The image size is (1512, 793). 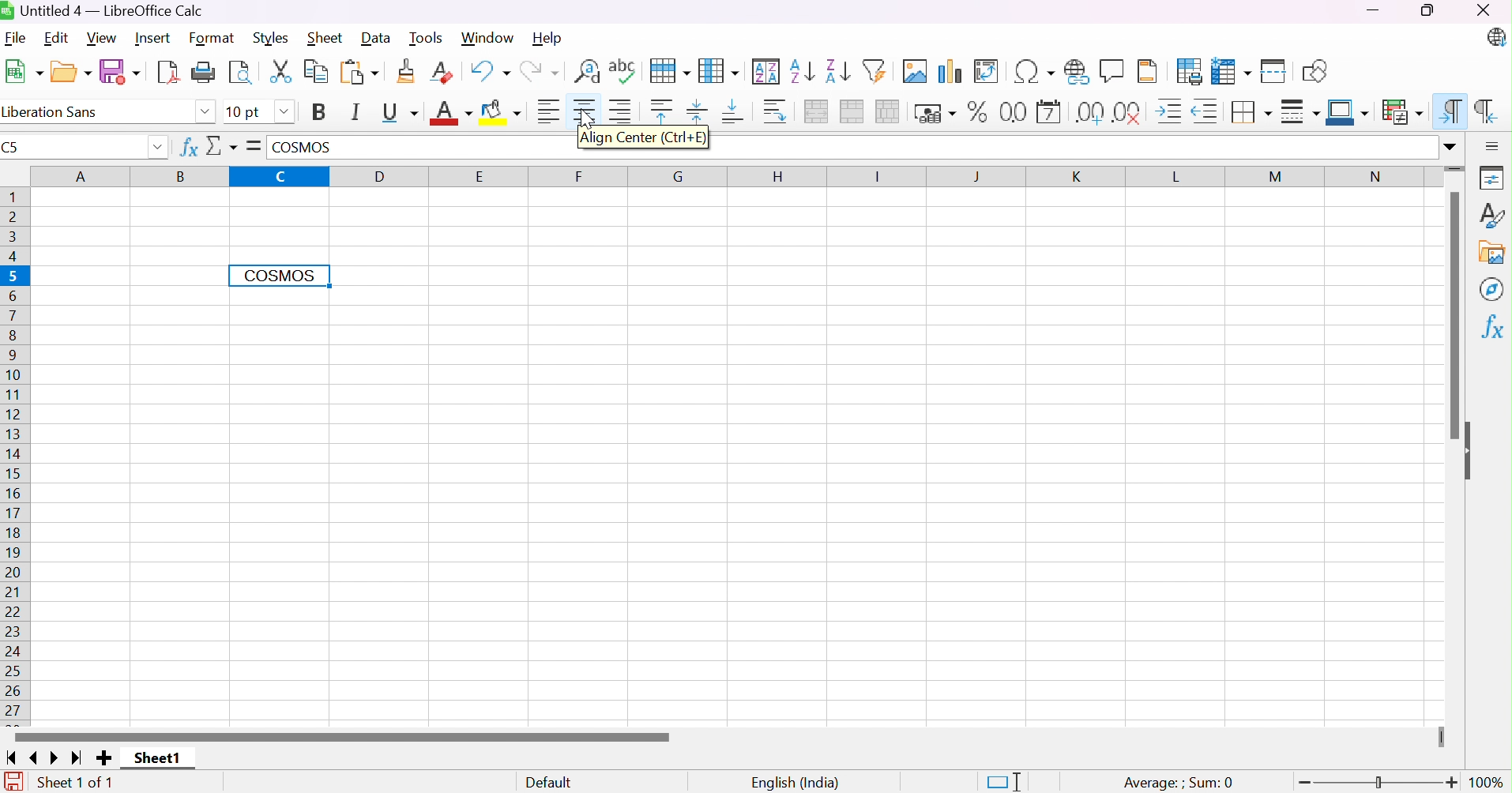 I want to click on Clone Formatting, so click(x=408, y=71).